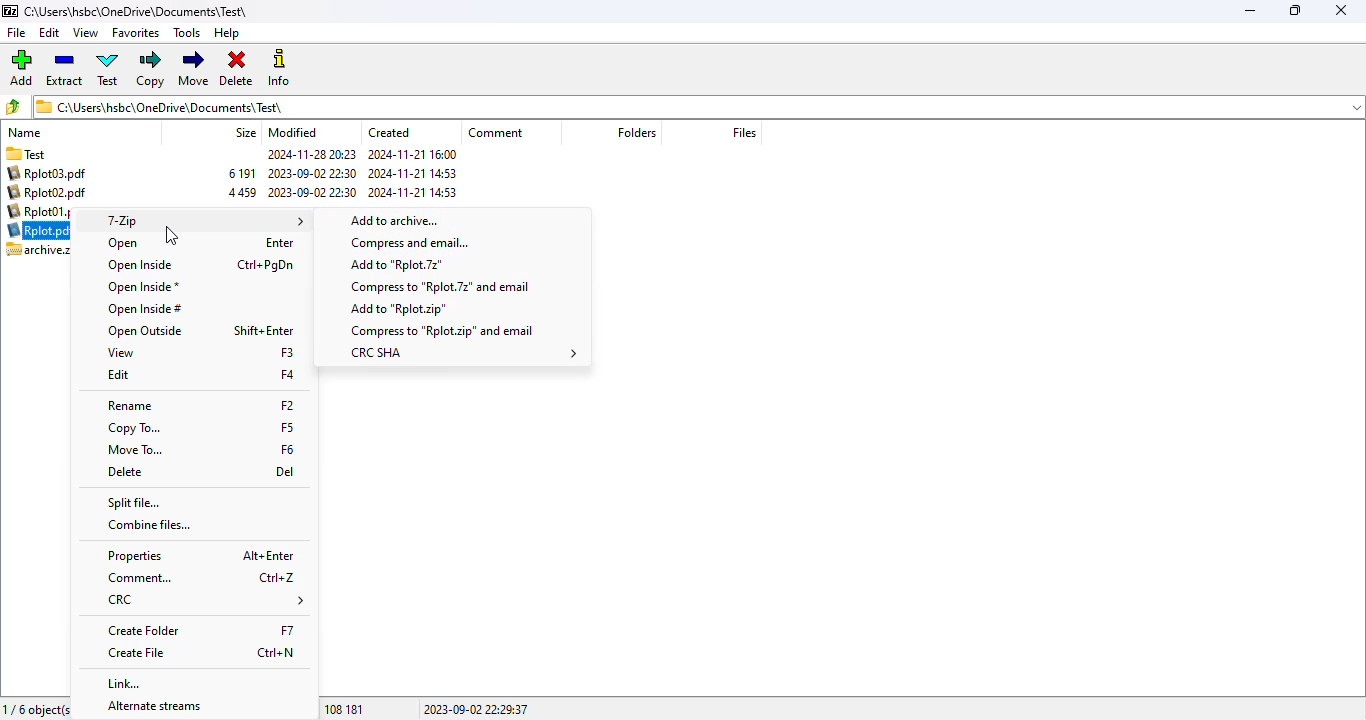 This screenshot has width=1366, height=720. Describe the element at coordinates (21, 67) in the screenshot. I see `add` at that location.